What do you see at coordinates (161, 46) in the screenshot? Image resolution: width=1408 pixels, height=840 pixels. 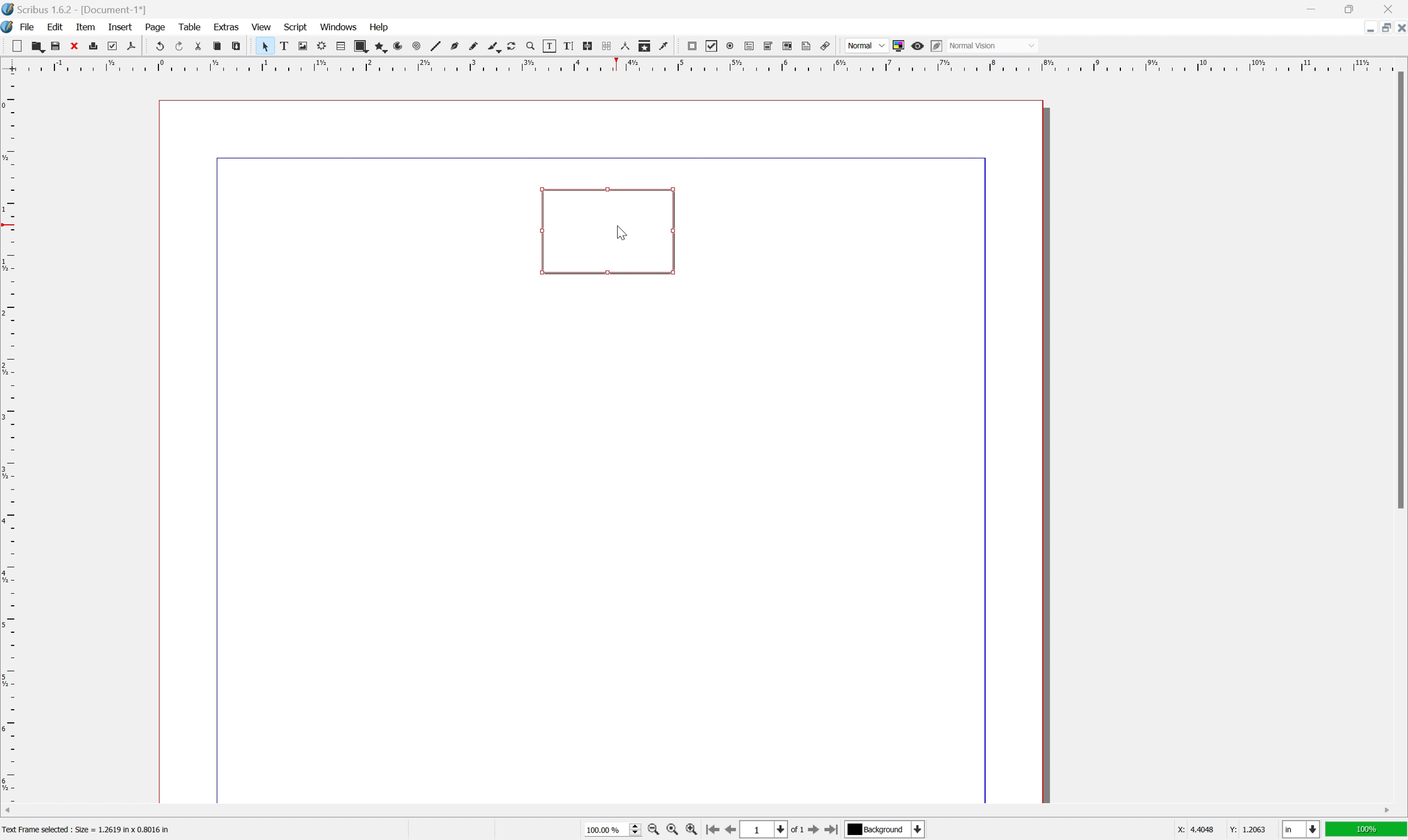 I see `undo` at bounding box center [161, 46].